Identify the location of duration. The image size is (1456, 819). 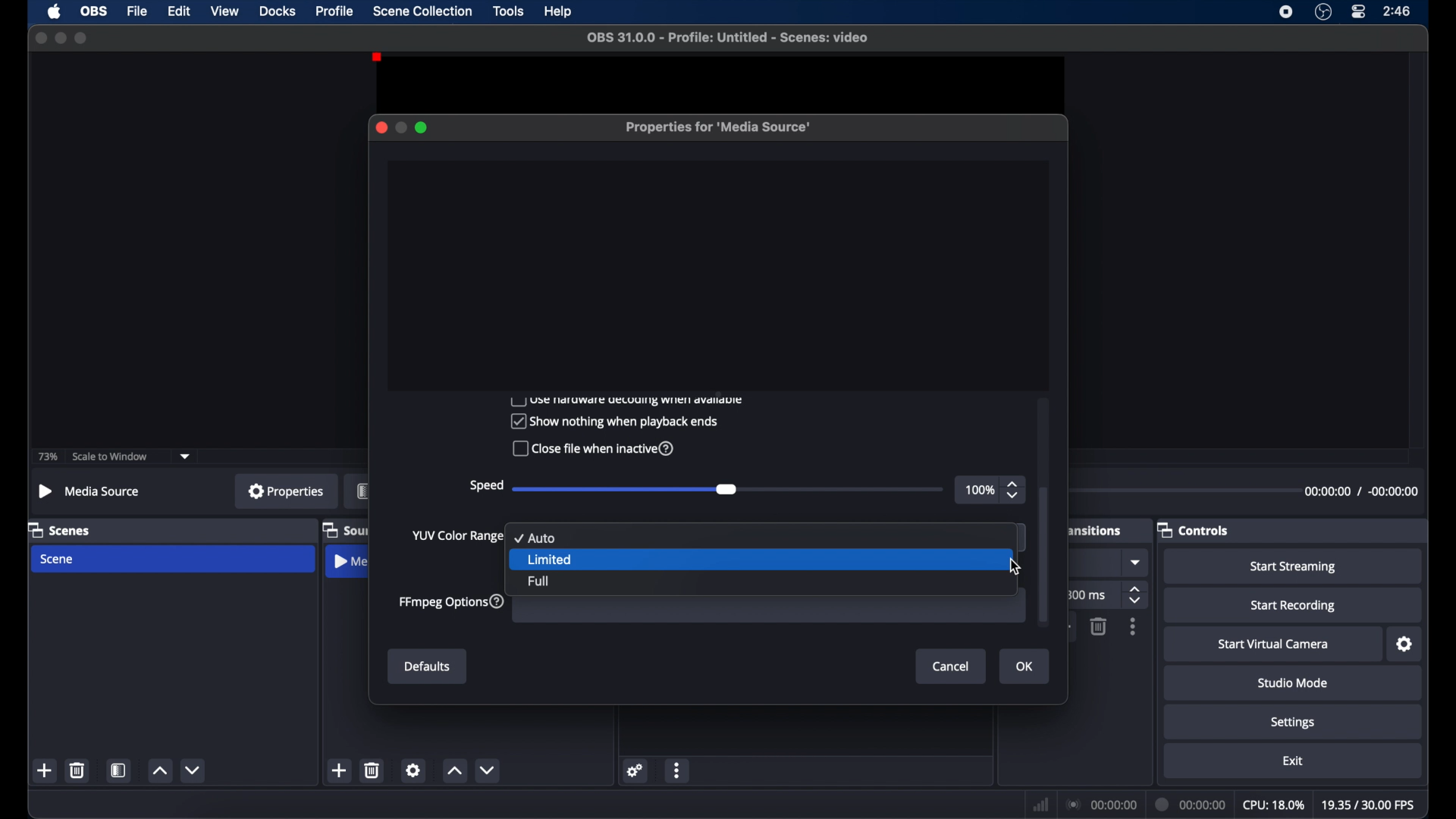
(1361, 491).